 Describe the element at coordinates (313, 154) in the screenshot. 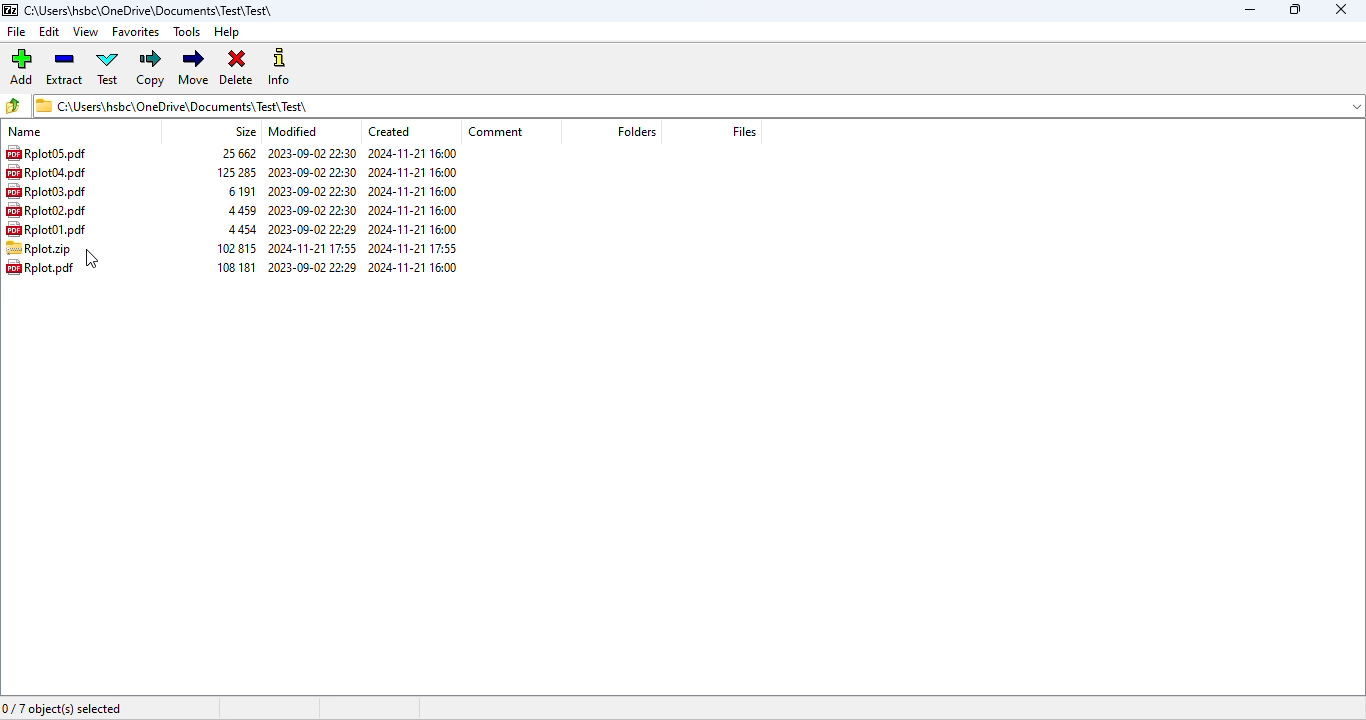

I see `2023-09-02 22:30` at that location.